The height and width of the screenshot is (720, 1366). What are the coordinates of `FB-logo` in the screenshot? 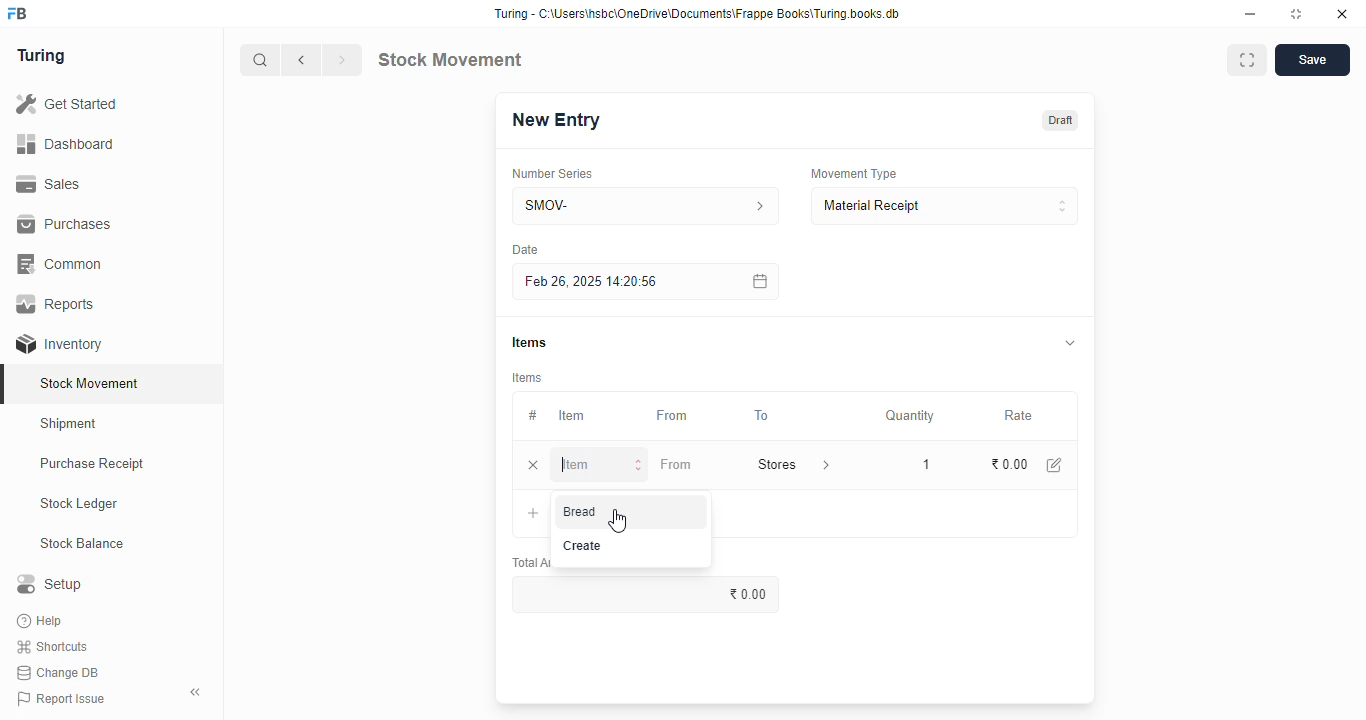 It's located at (17, 13).